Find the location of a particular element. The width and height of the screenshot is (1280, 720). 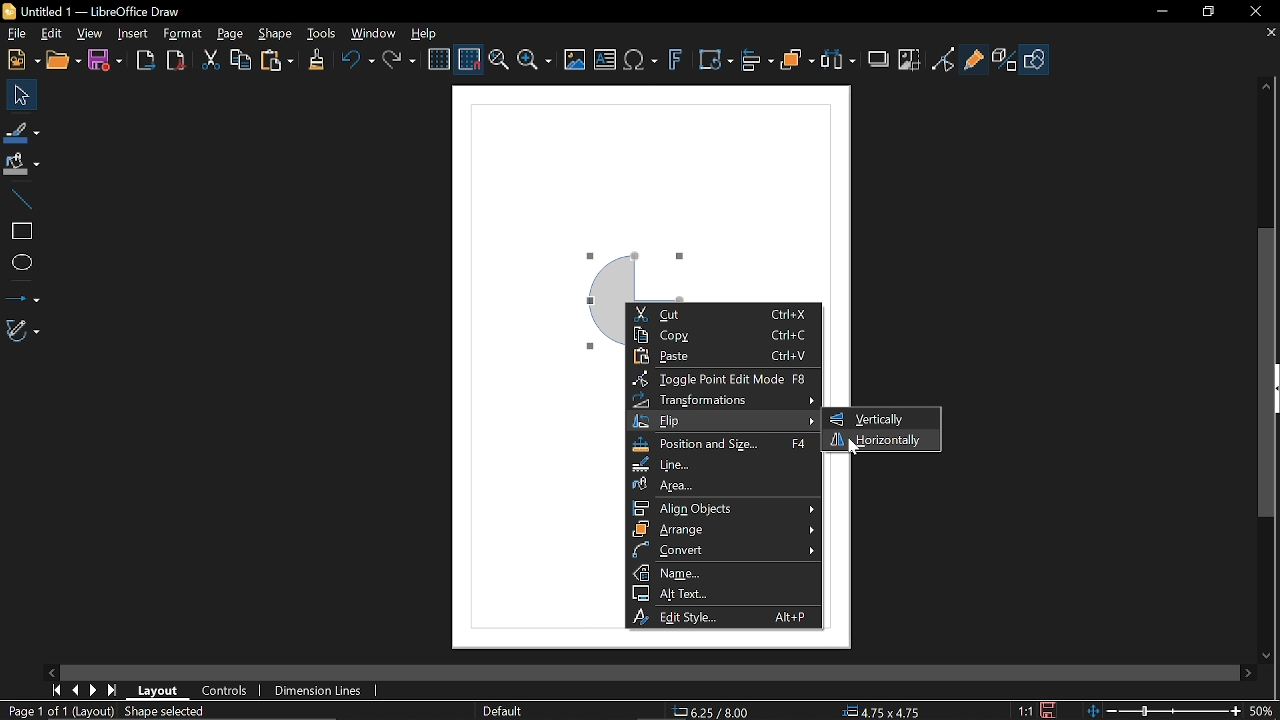

Move down is located at coordinates (1271, 656).